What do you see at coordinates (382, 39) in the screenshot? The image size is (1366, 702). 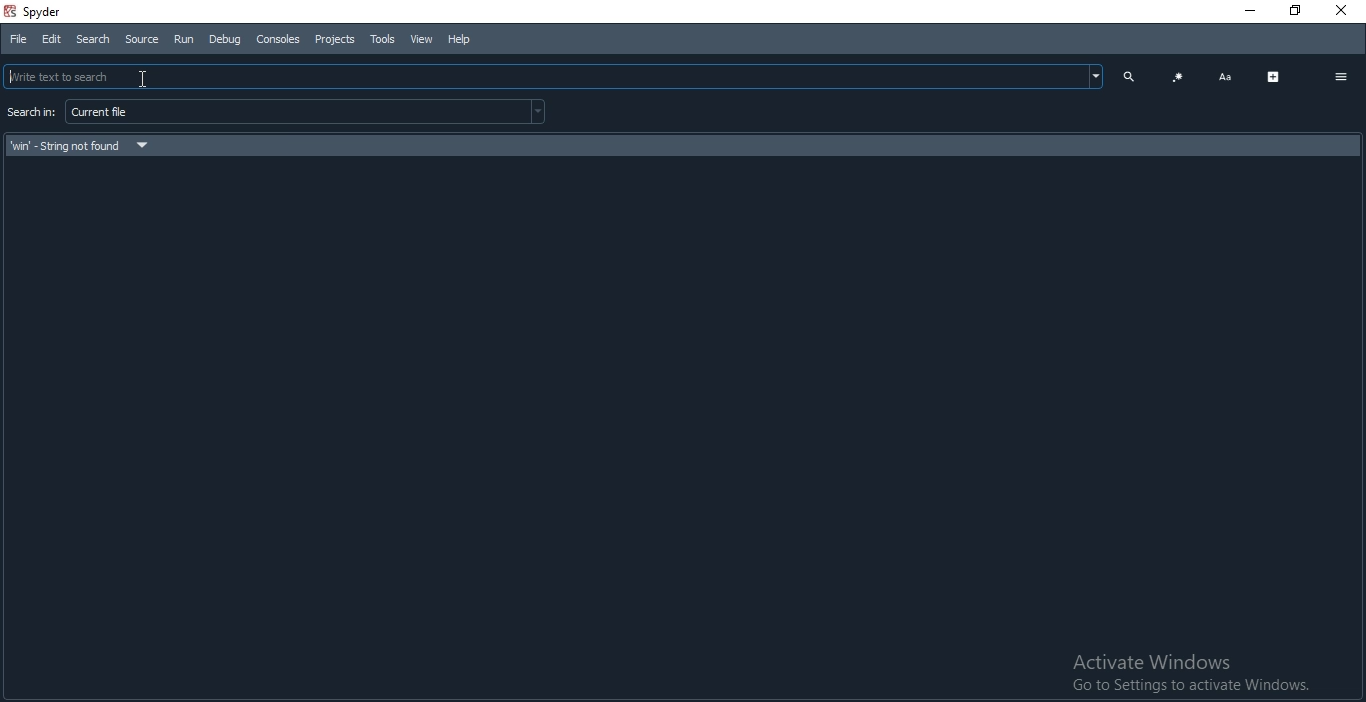 I see `tools` at bounding box center [382, 39].